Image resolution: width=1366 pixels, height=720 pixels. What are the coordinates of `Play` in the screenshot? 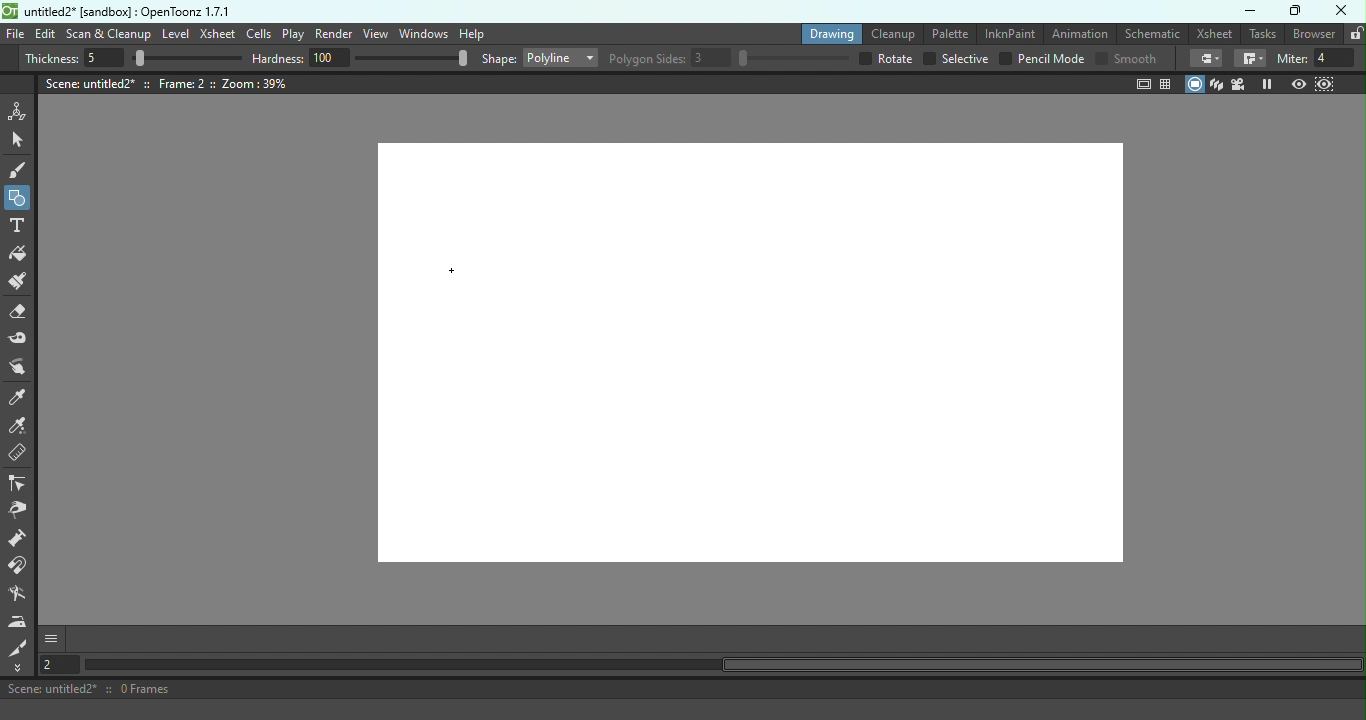 It's located at (293, 34).